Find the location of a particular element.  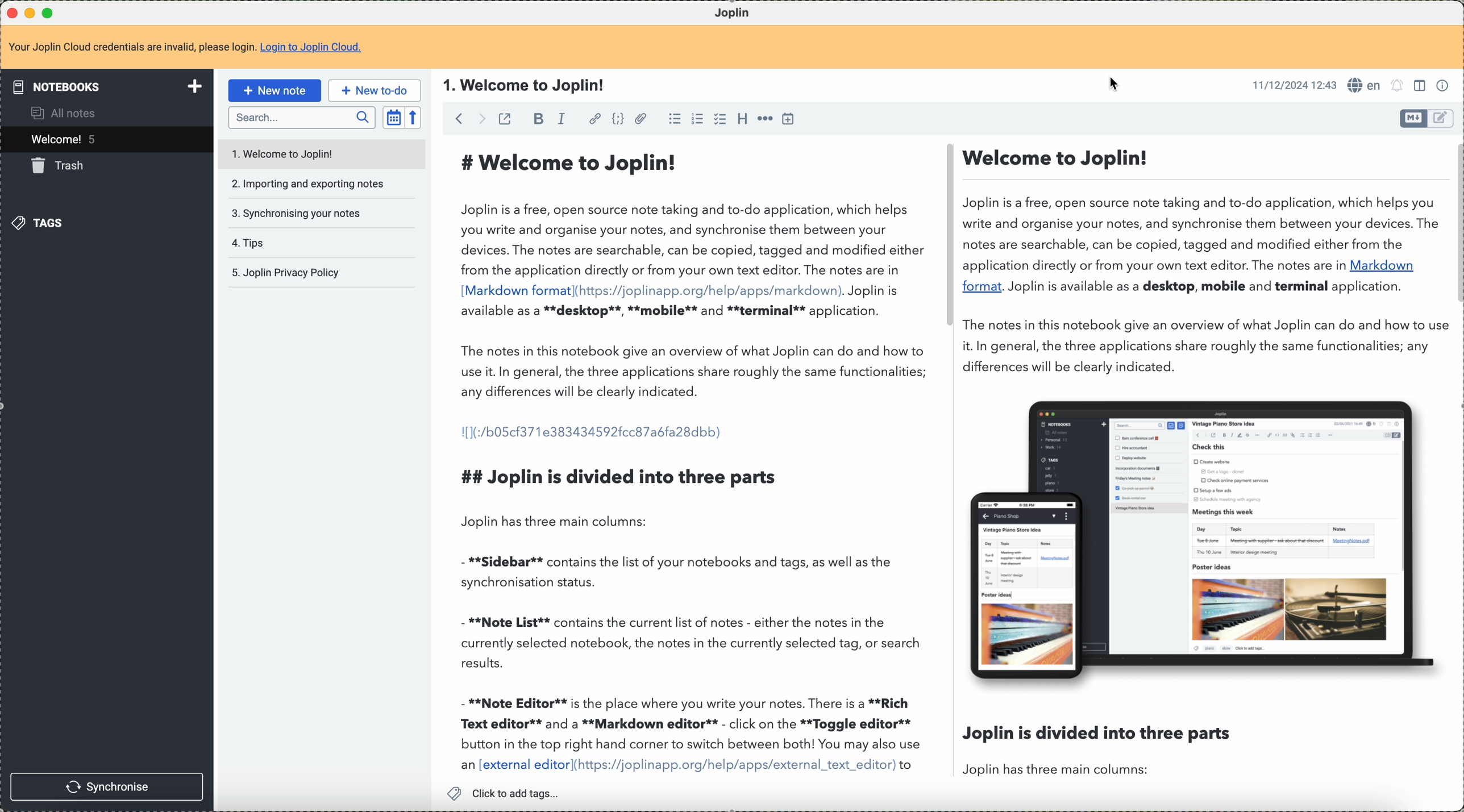

code is located at coordinates (615, 119).